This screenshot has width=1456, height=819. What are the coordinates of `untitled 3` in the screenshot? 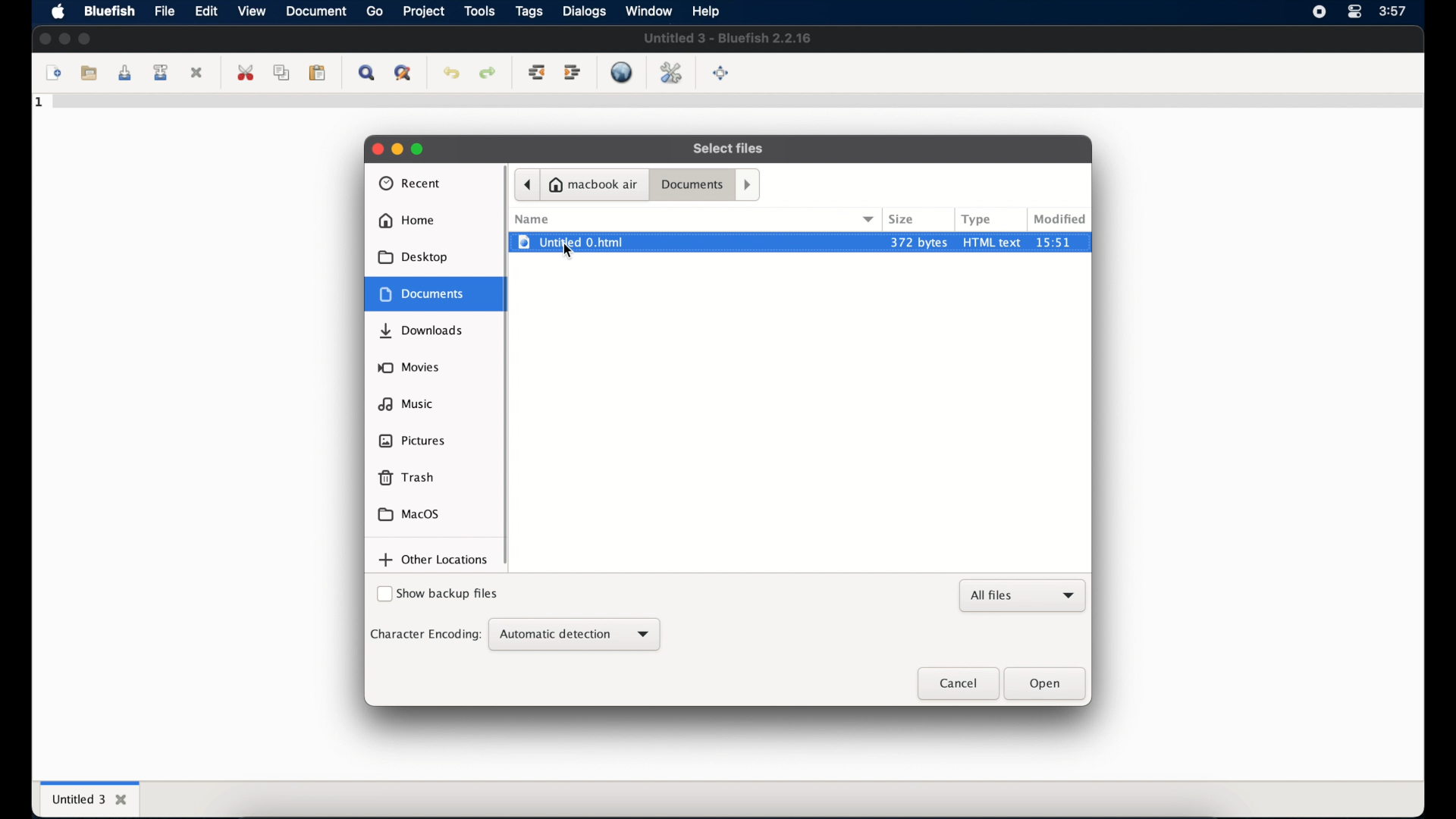 It's located at (88, 798).